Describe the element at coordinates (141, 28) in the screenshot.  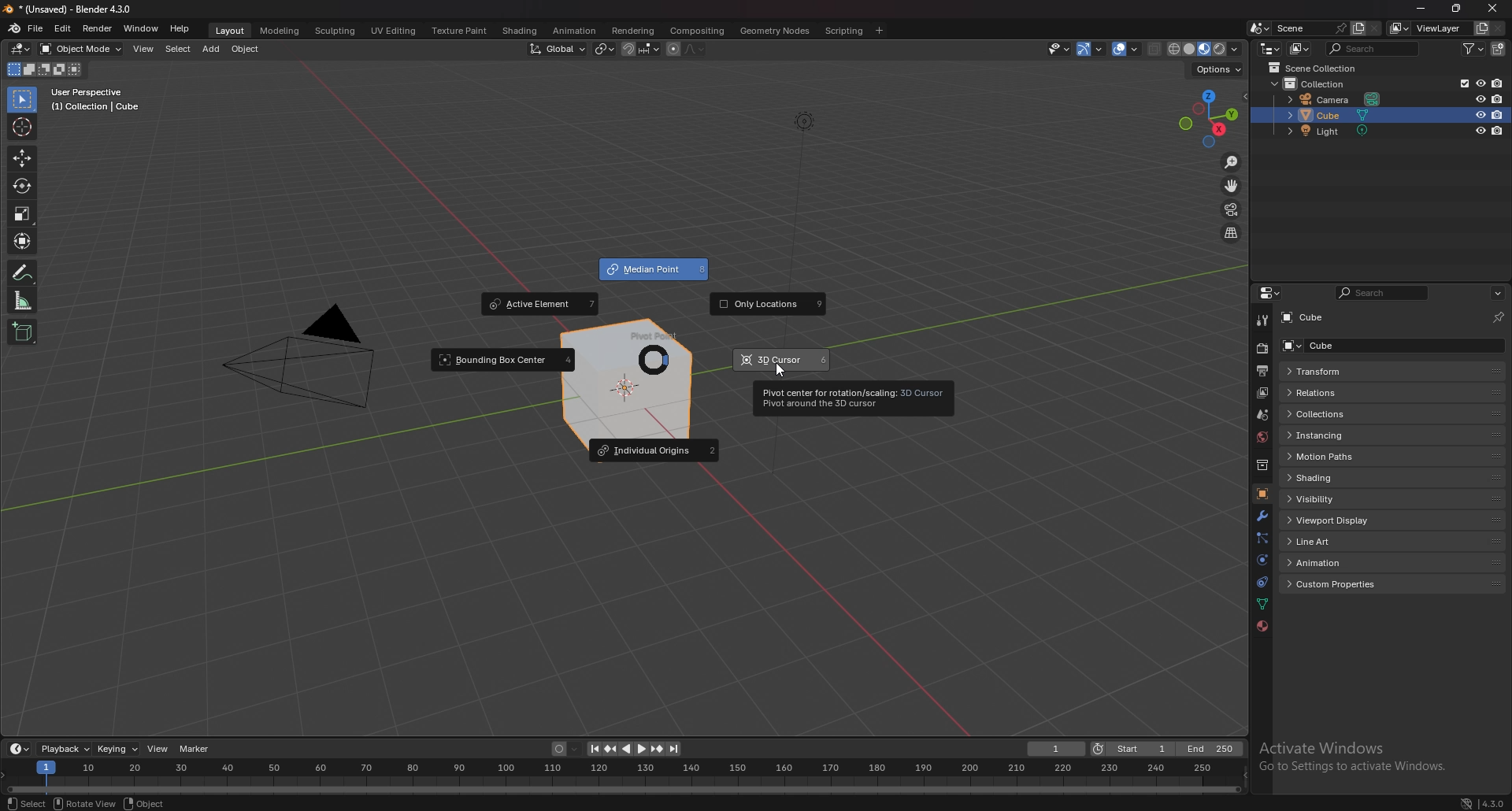
I see `window` at that location.